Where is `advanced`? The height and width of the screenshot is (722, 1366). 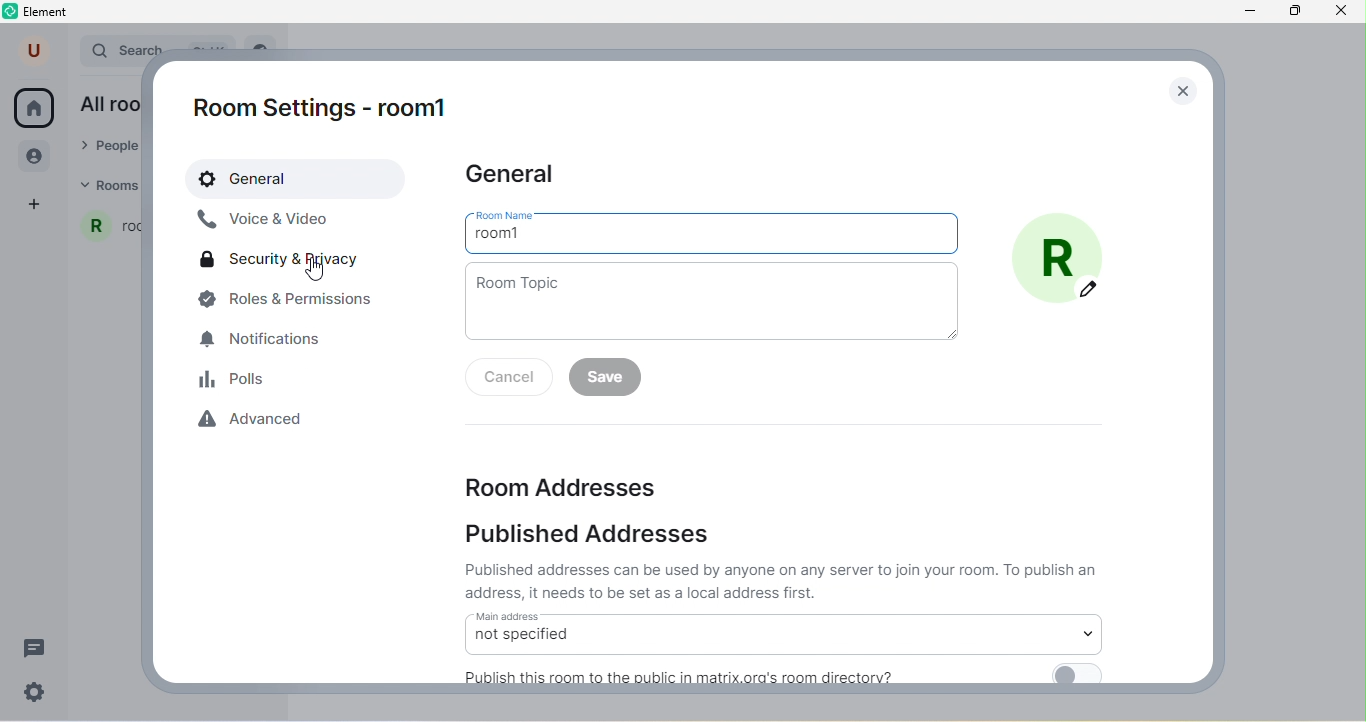 advanced is located at coordinates (259, 421).